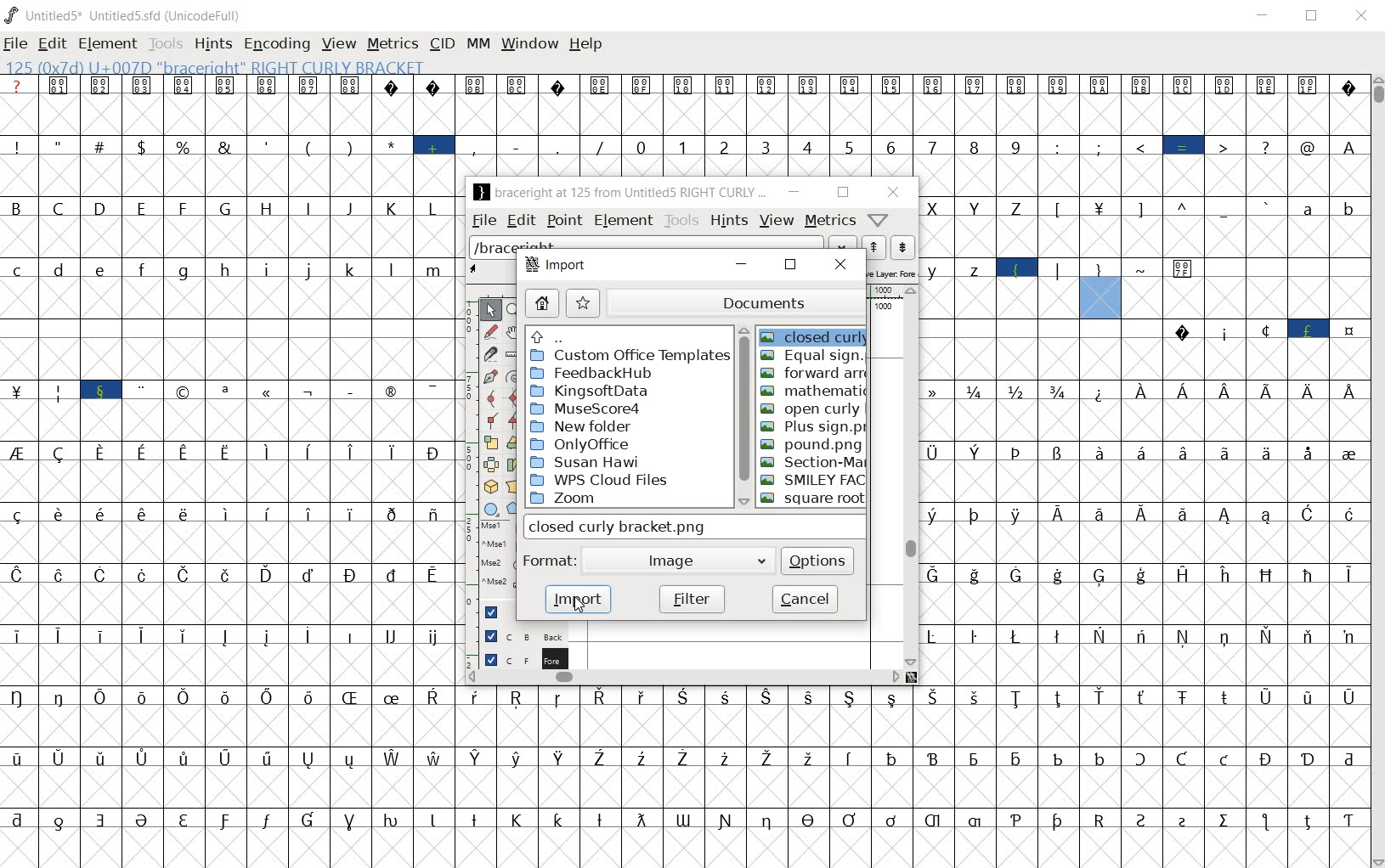  I want to click on scrollbar, so click(743, 419).